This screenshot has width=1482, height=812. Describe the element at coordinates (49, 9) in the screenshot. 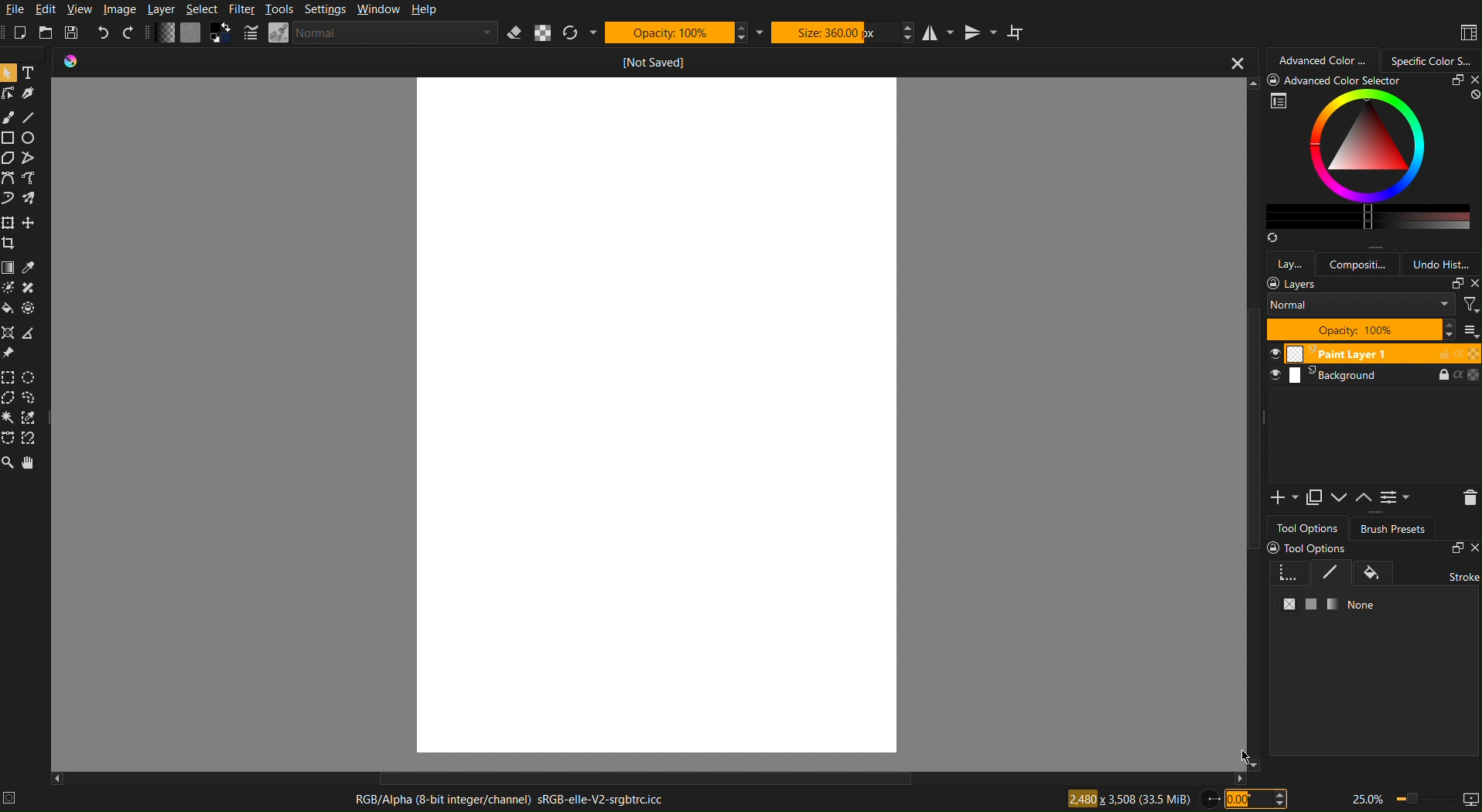

I see `Edit` at that location.